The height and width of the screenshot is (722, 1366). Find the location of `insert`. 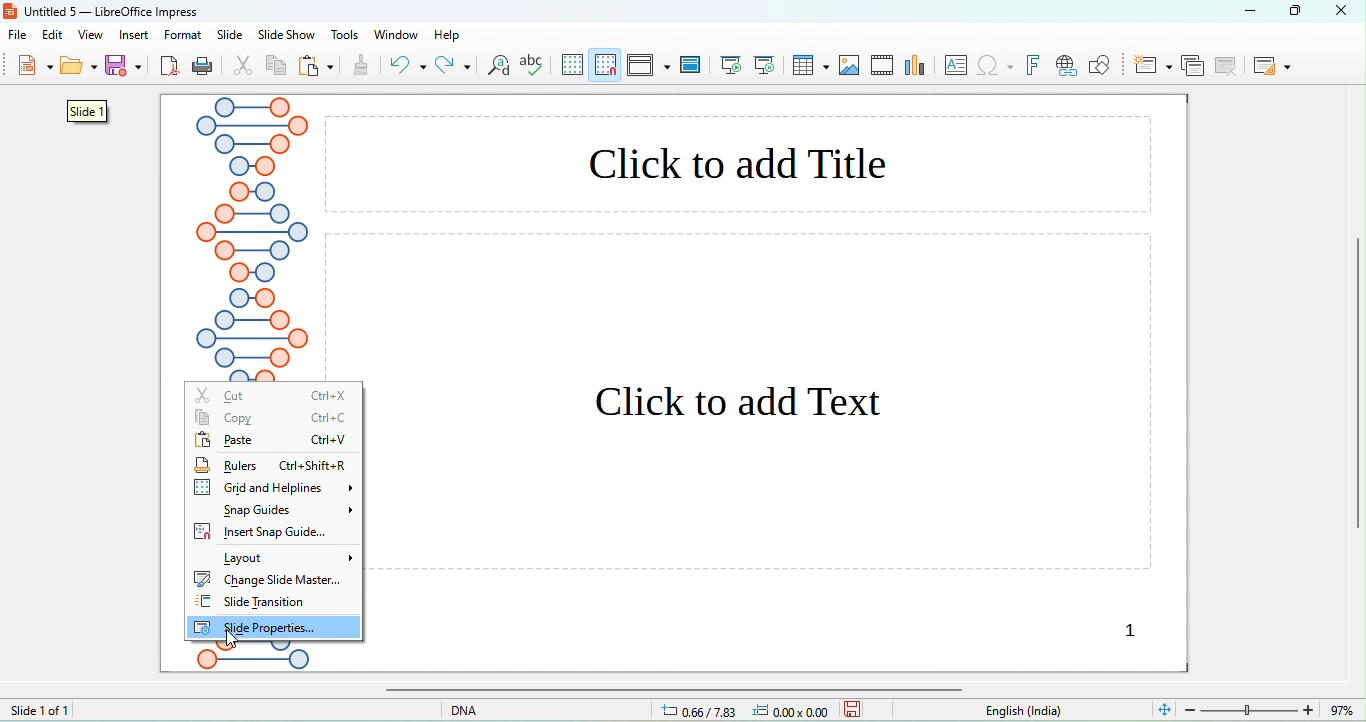

insert is located at coordinates (135, 35).